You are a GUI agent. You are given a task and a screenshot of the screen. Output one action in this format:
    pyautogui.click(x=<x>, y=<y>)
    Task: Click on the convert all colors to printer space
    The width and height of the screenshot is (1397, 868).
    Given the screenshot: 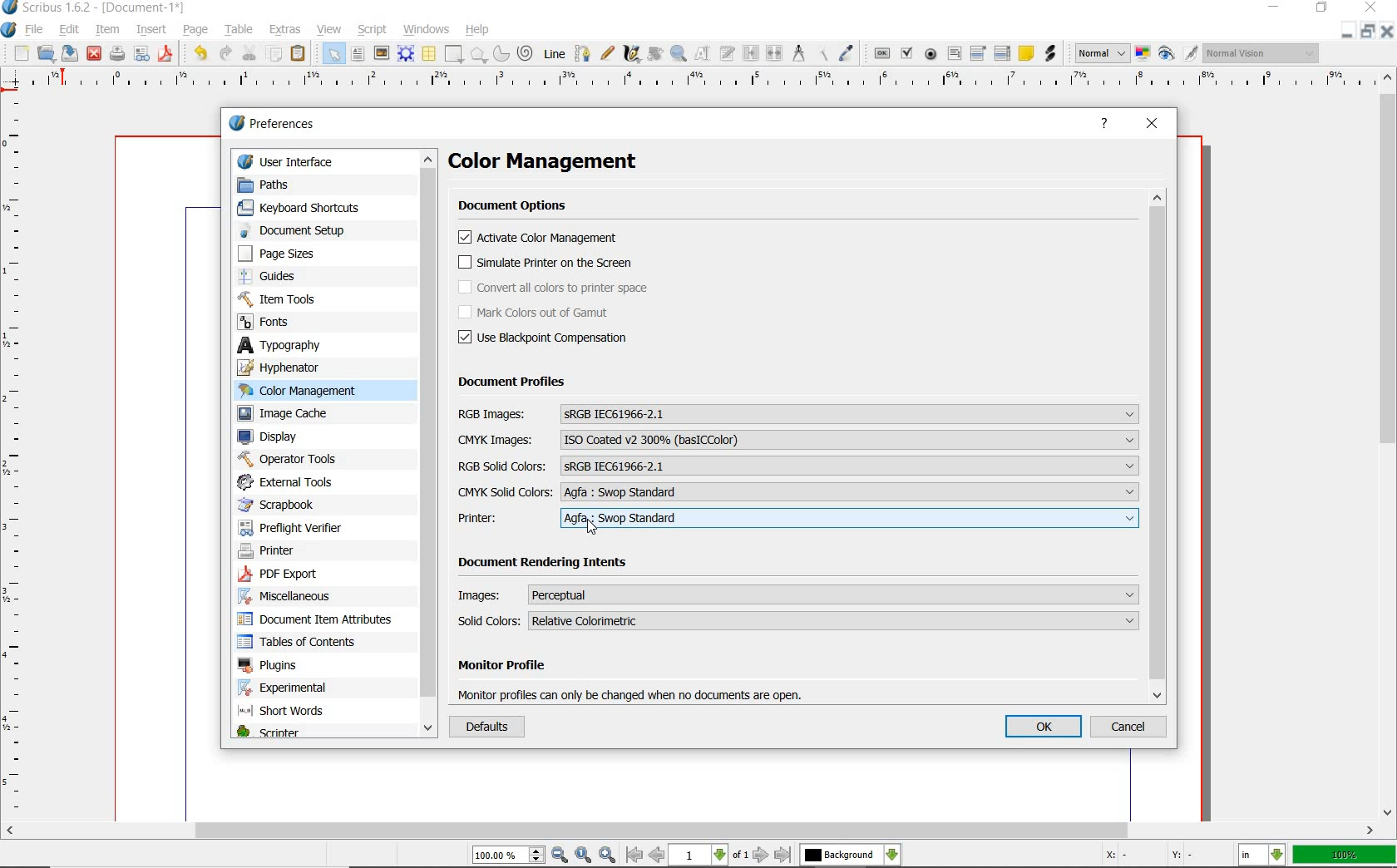 What is the action you would take?
    pyautogui.click(x=555, y=288)
    